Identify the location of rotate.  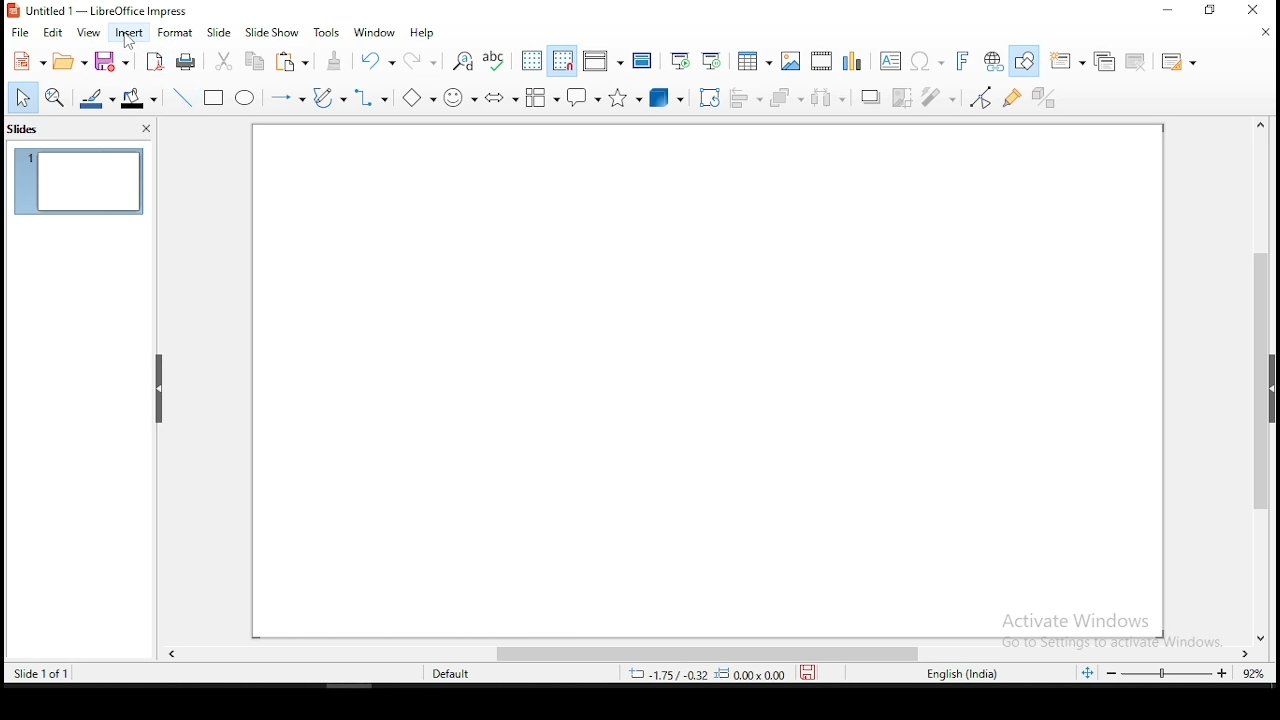
(708, 96).